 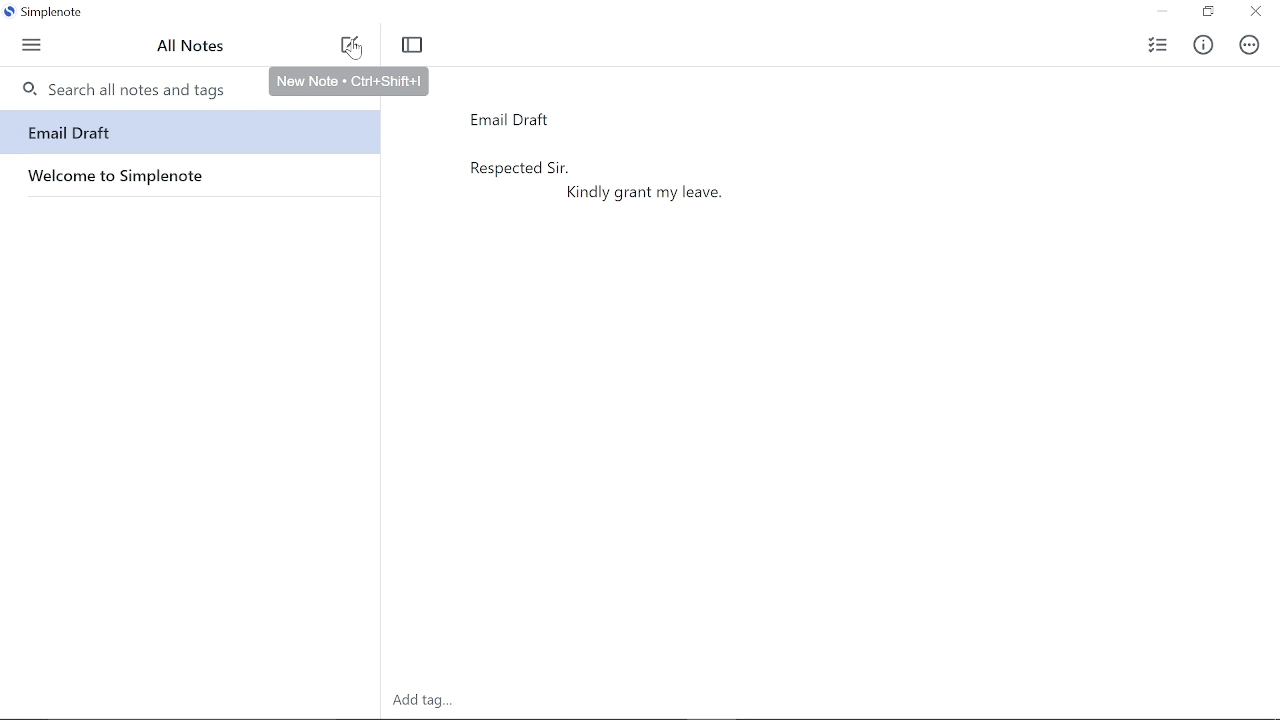 I want to click on New Note, so click(x=351, y=48).